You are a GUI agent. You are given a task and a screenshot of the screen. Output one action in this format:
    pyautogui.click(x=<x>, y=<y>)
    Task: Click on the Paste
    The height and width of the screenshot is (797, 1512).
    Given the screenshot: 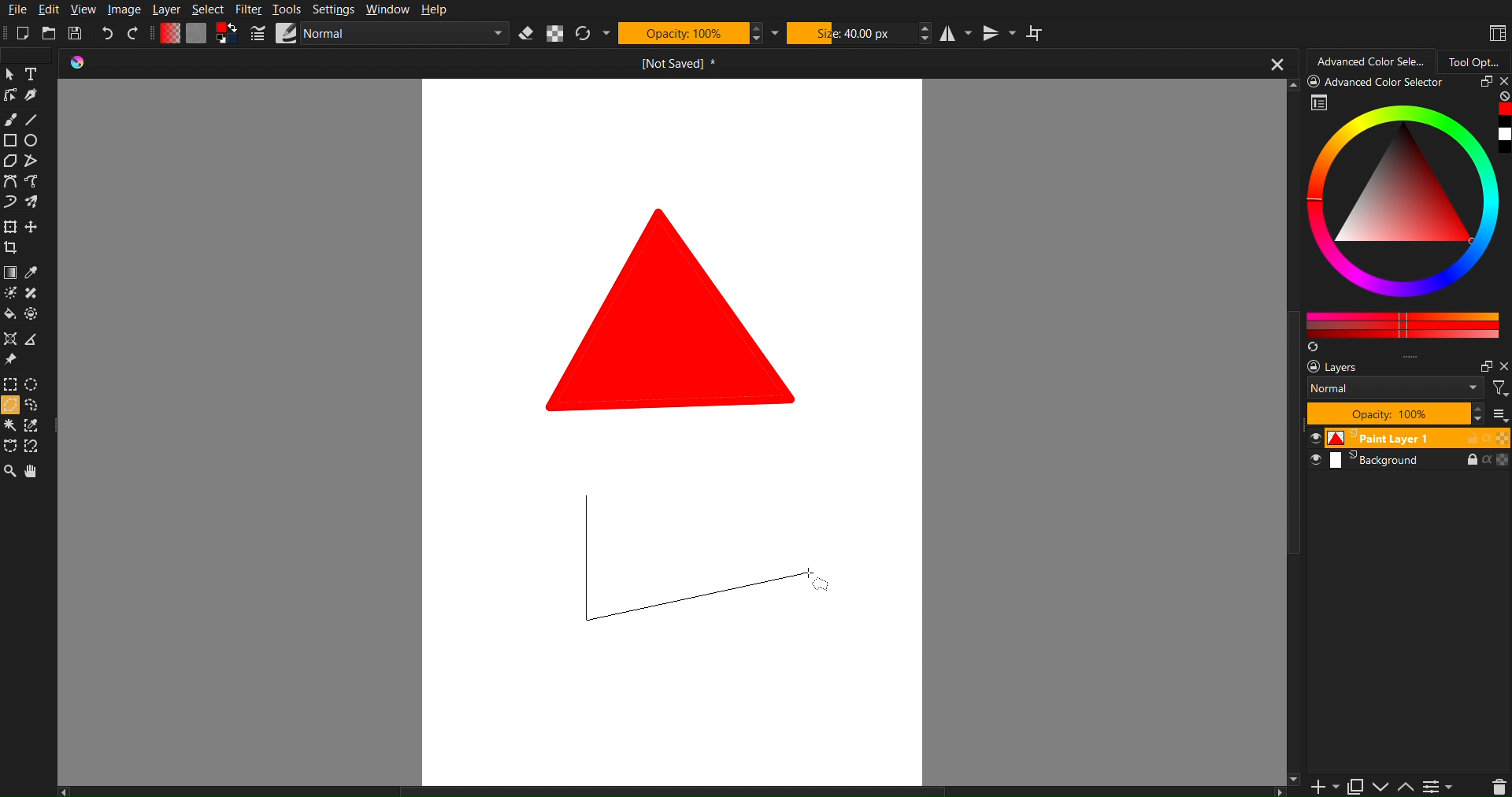 What is the action you would take?
    pyautogui.click(x=1354, y=784)
    